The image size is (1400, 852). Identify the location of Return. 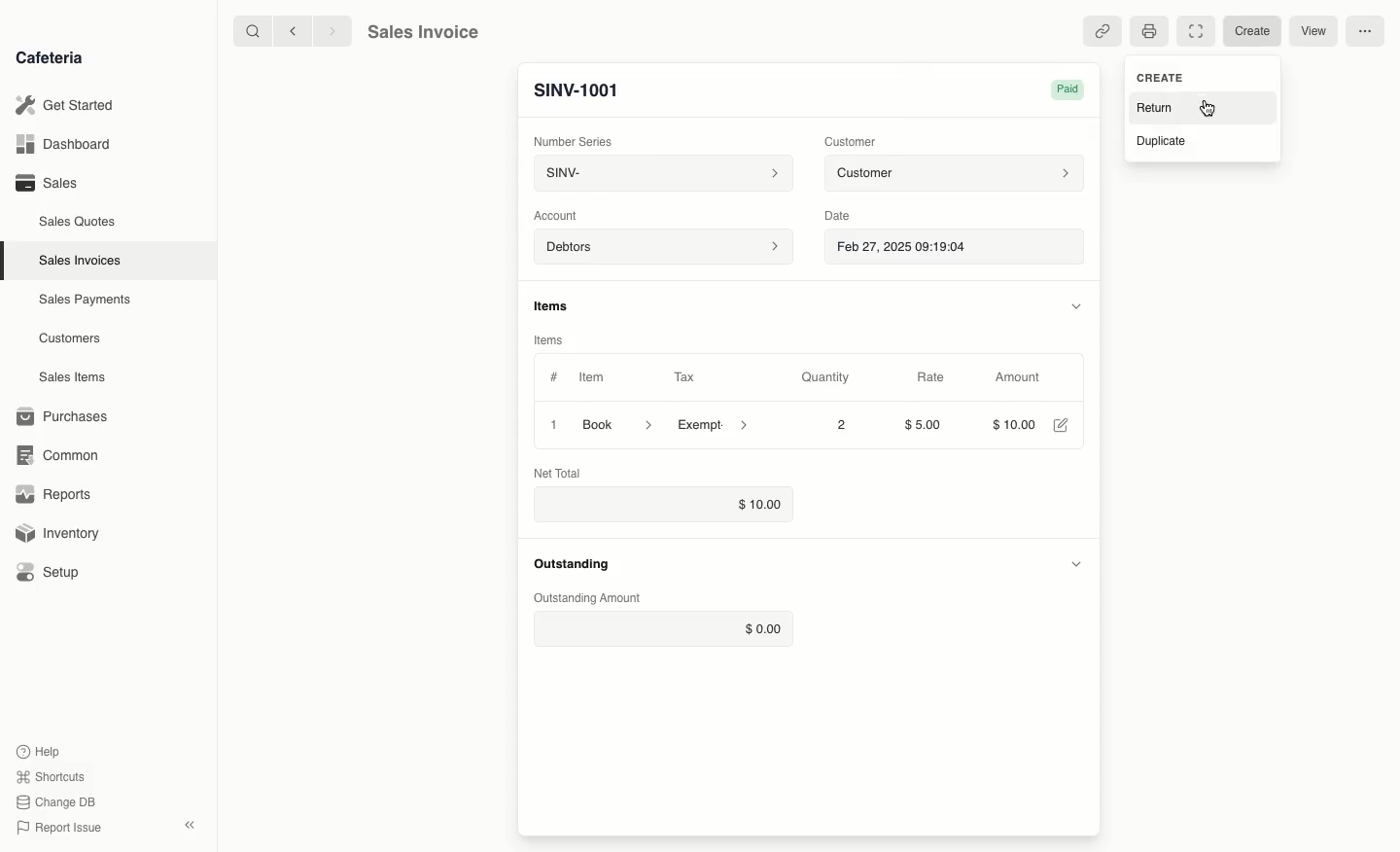
(1153, 109).